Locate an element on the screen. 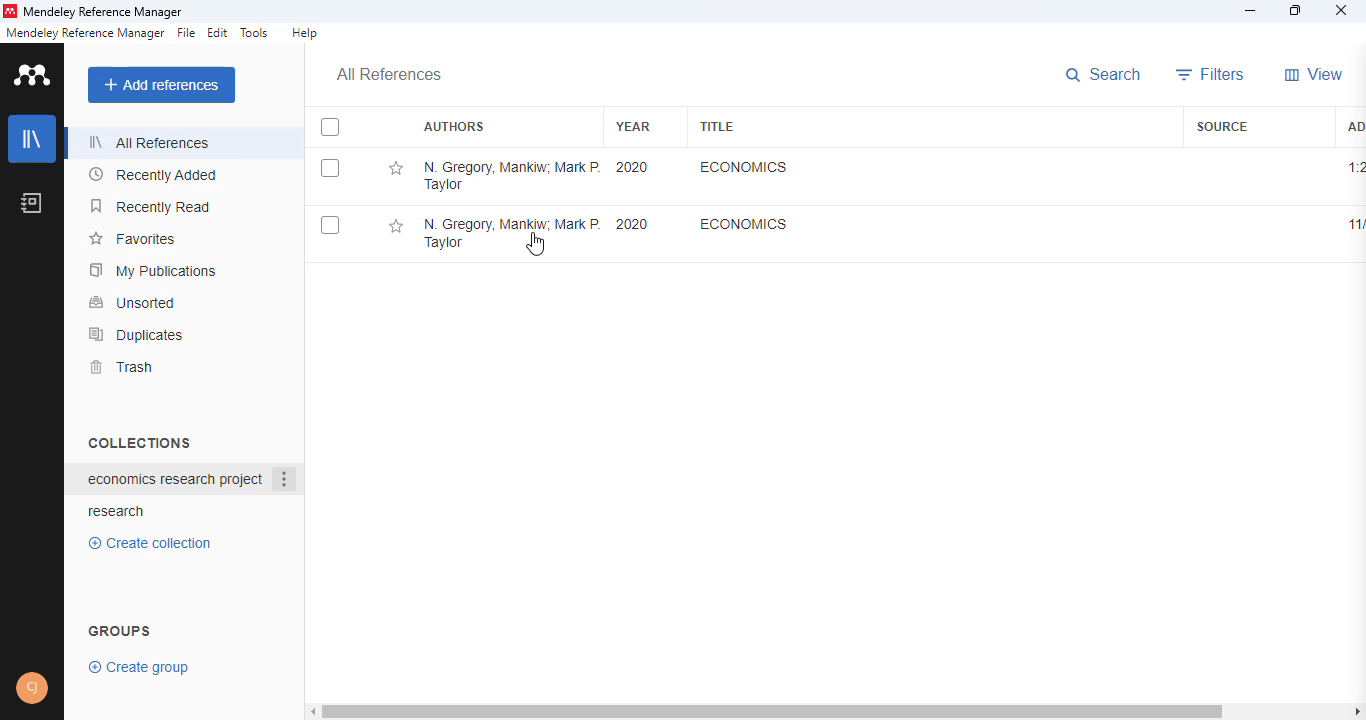 The height and width of the screenshot is (720, 1366). sync is located at coordinates (32, 625).